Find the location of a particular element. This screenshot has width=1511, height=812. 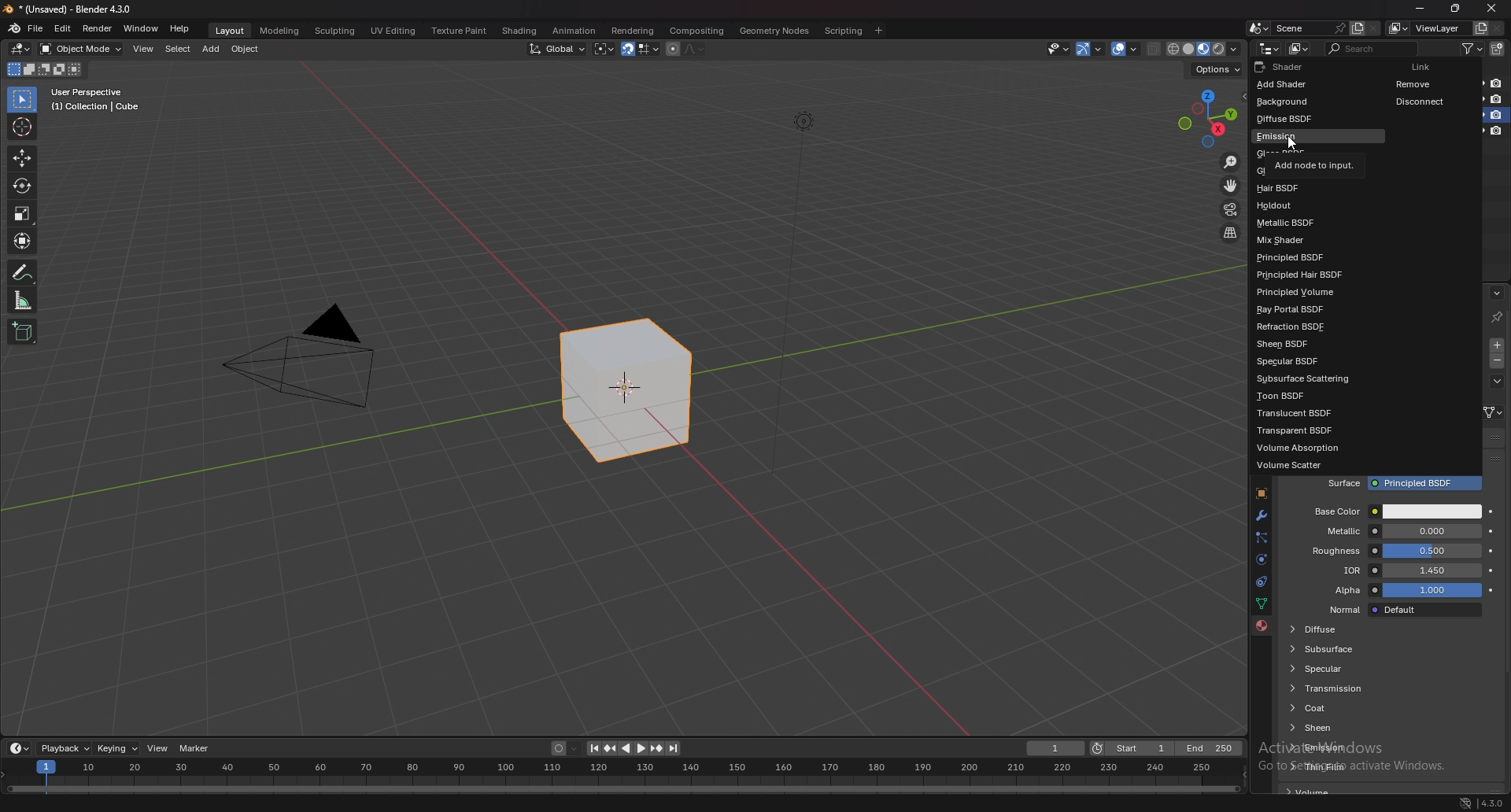

rotate is located at coordinates (22, 186).